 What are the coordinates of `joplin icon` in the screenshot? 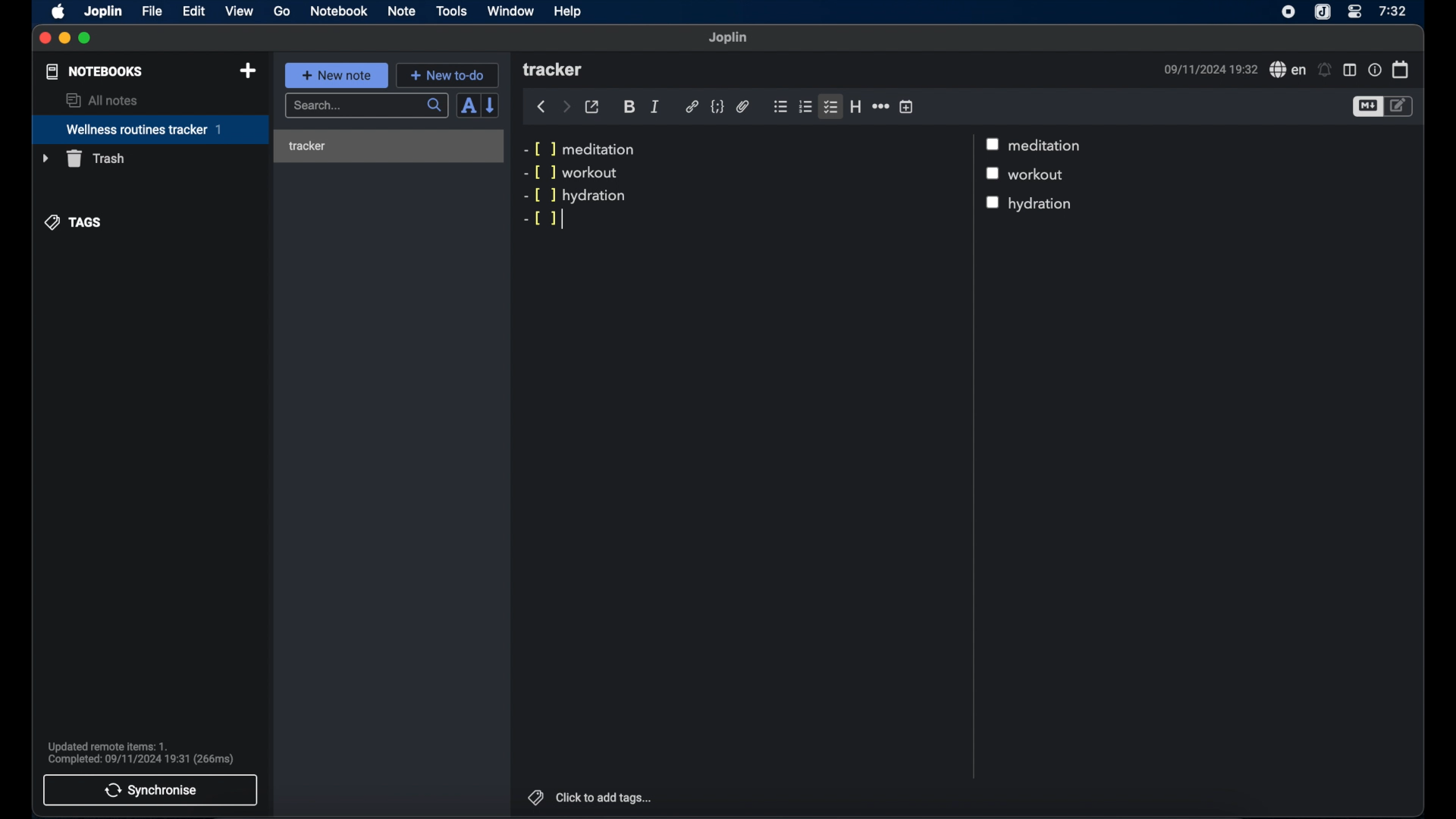 It's located at (1323, 12).